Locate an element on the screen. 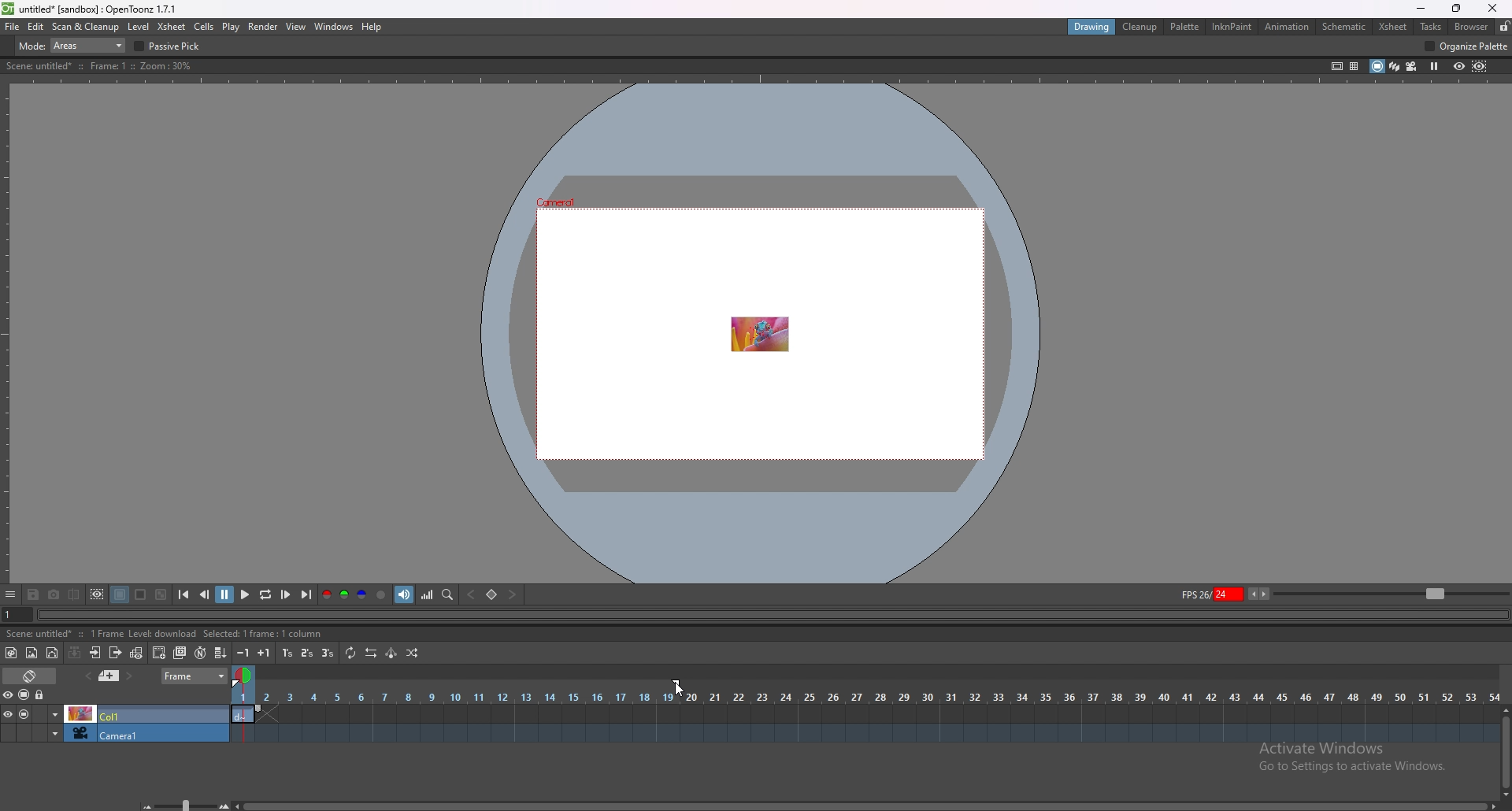  auto input cell number is located at coordinates (200, 653).